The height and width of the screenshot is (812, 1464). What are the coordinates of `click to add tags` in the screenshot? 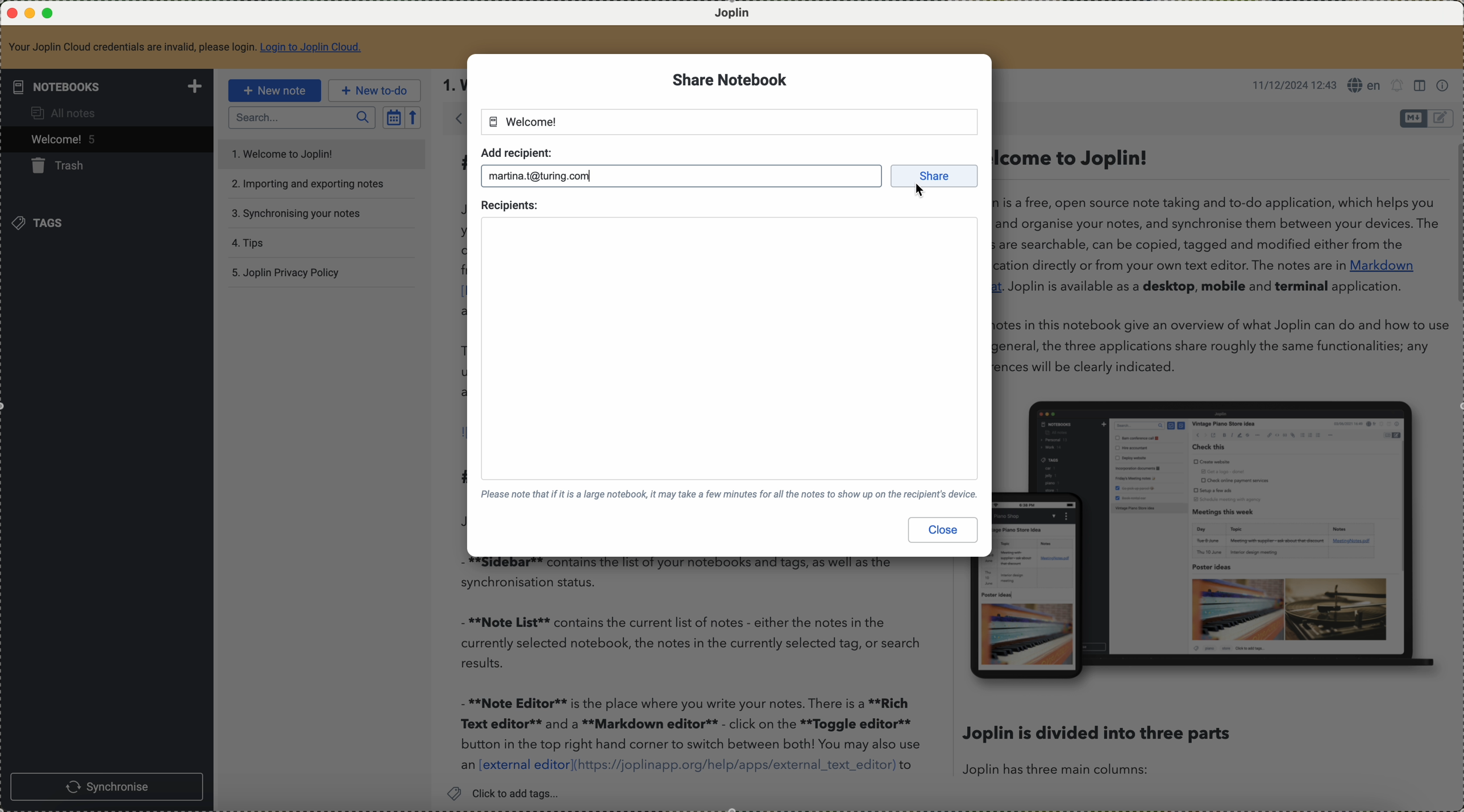 It's located at (509, 793).